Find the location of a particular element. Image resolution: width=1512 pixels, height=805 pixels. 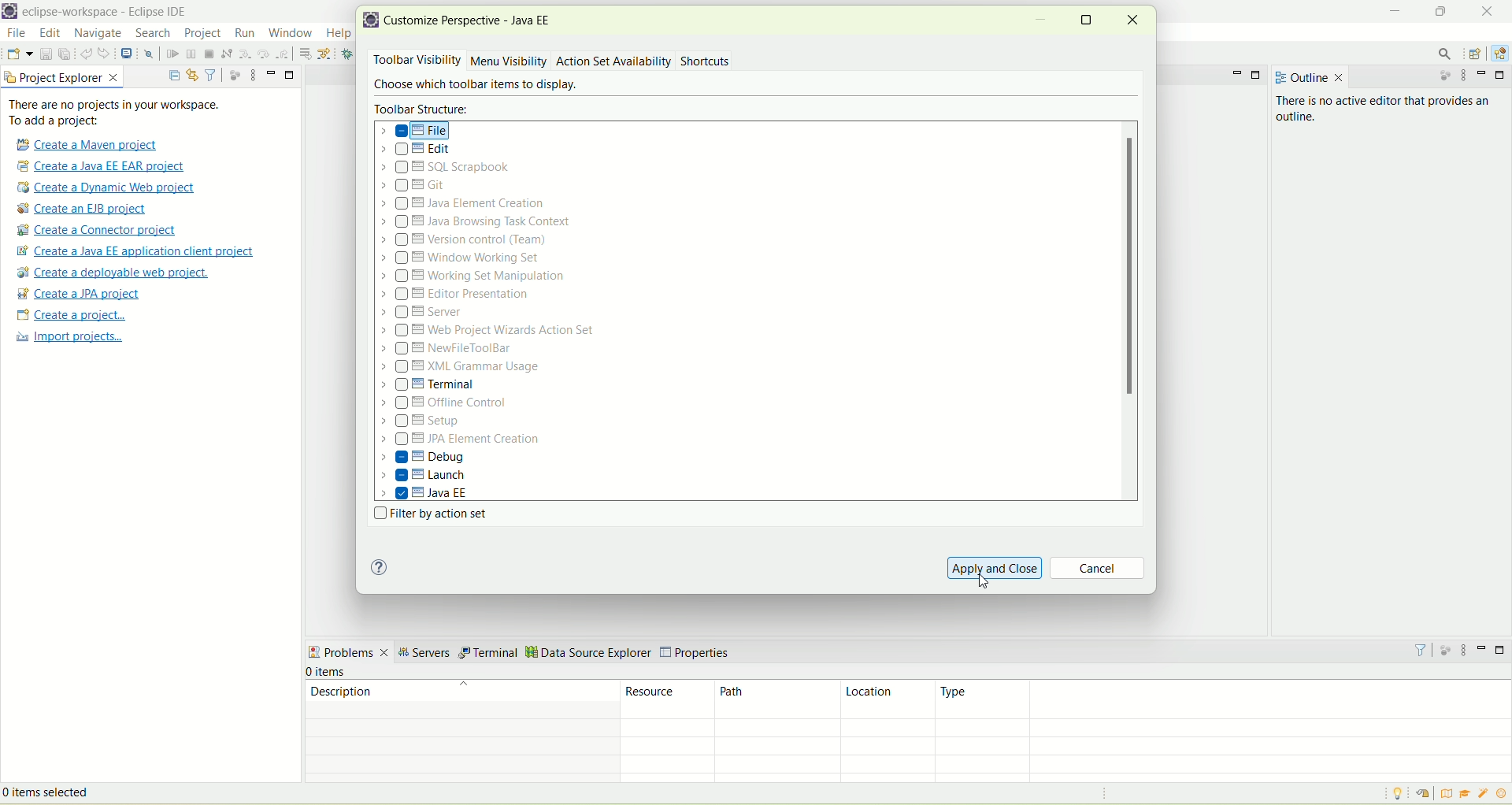

edit is located at coordinates (51, 35).